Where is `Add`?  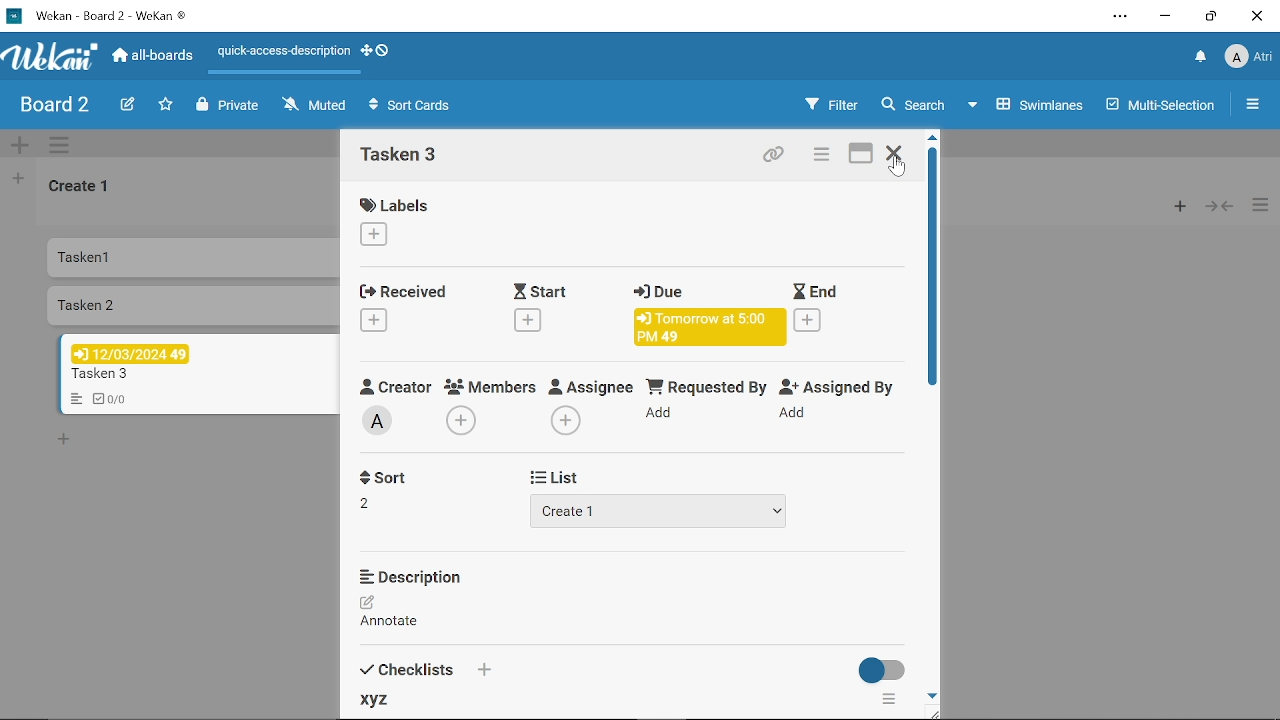
Add is located at coordinates (463, 421).